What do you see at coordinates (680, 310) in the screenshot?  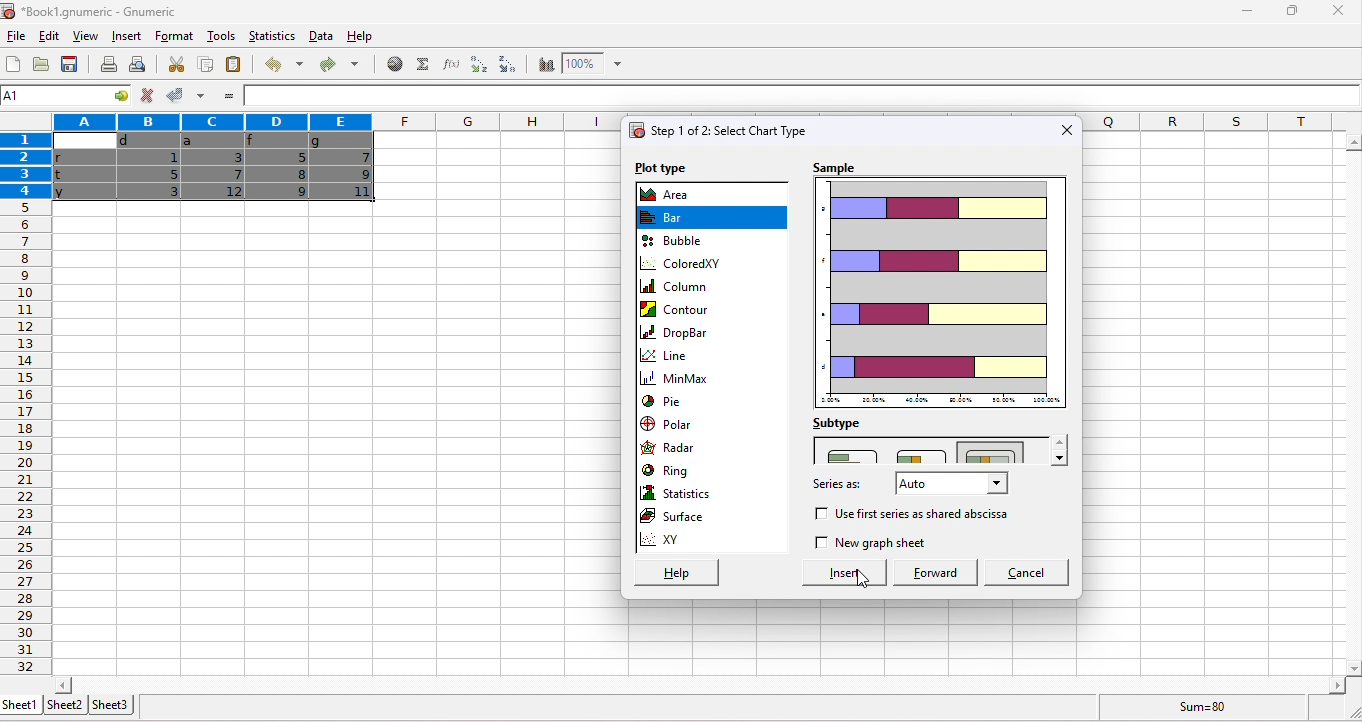 I see `contour` at bounding box center [680, 310].